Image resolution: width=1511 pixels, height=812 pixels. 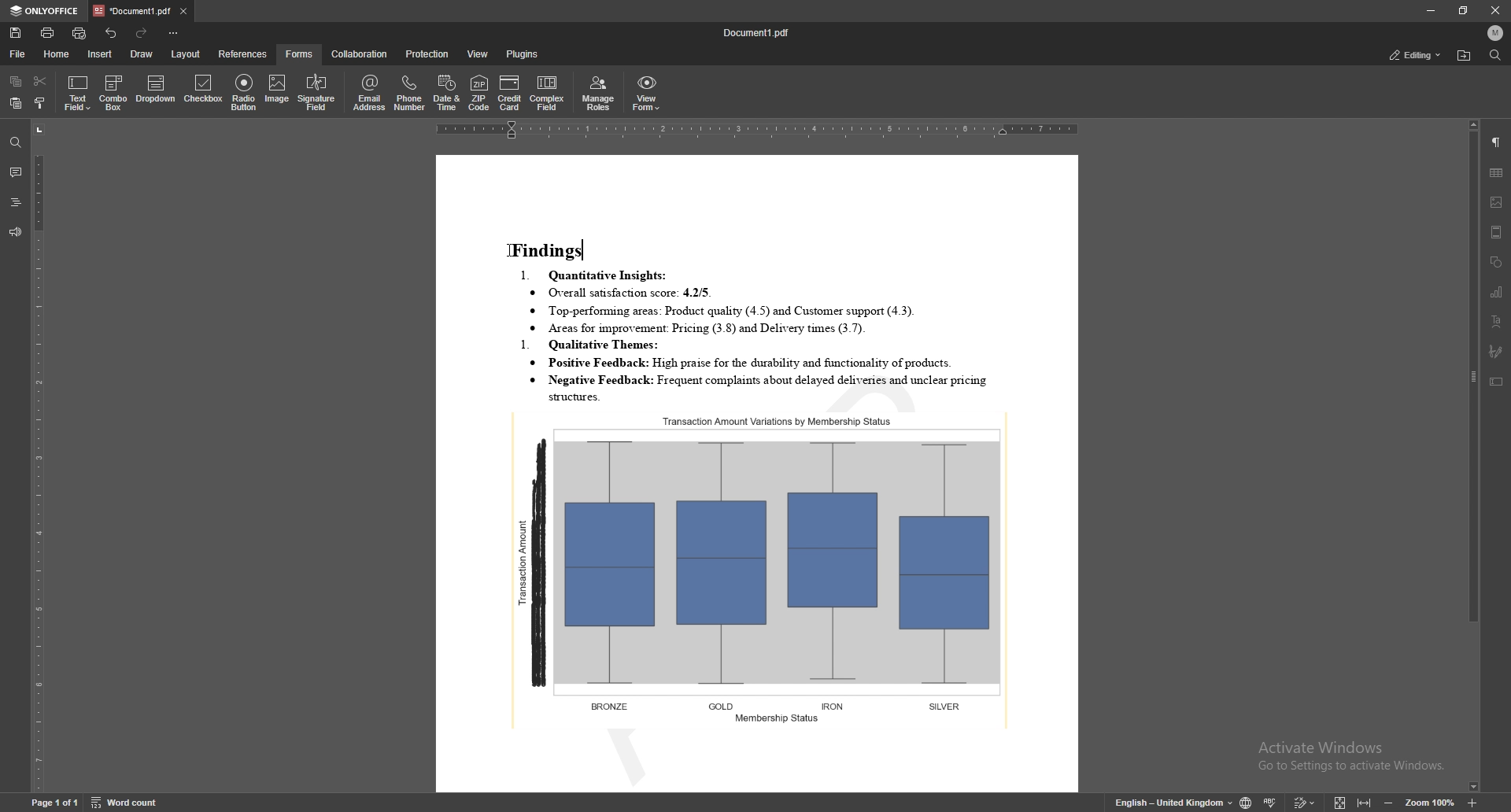 What do you see at coordinates (549, 94) in the screenshot?
I see `complex field` at bounding box center [549, 94].